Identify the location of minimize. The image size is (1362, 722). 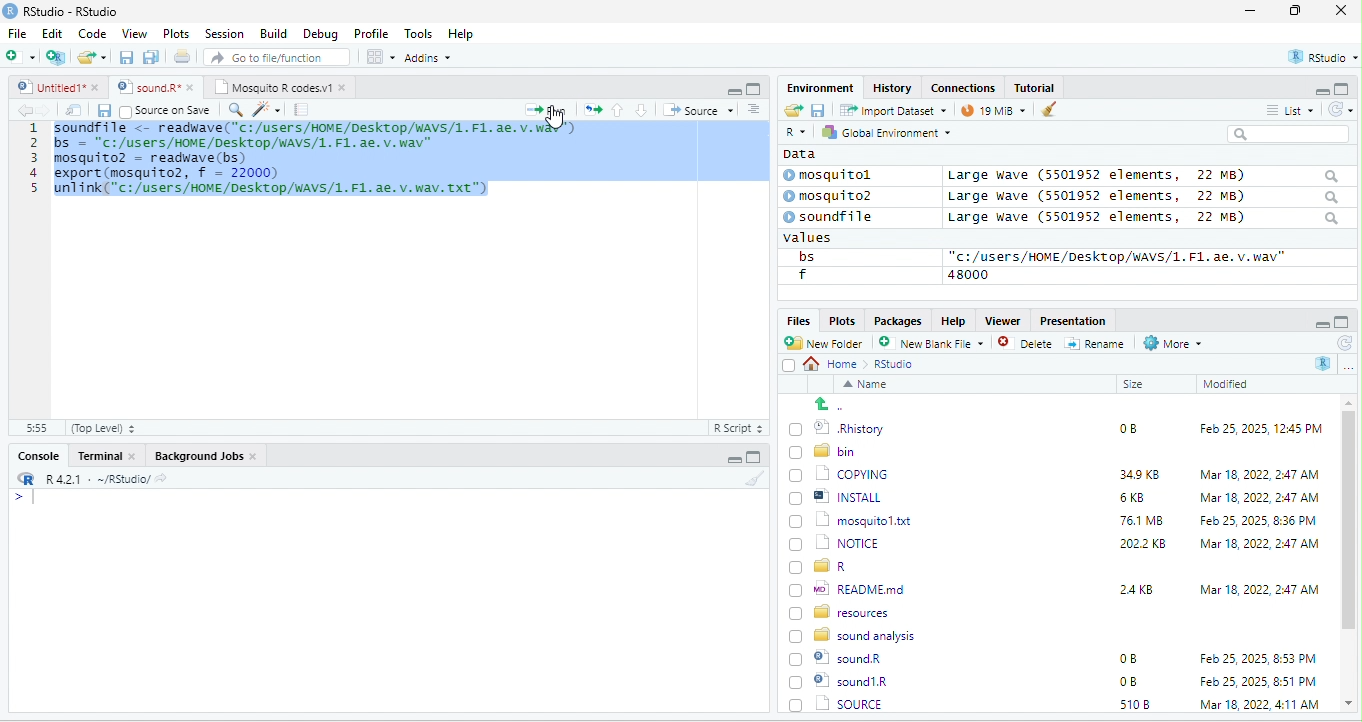
(733, 90).